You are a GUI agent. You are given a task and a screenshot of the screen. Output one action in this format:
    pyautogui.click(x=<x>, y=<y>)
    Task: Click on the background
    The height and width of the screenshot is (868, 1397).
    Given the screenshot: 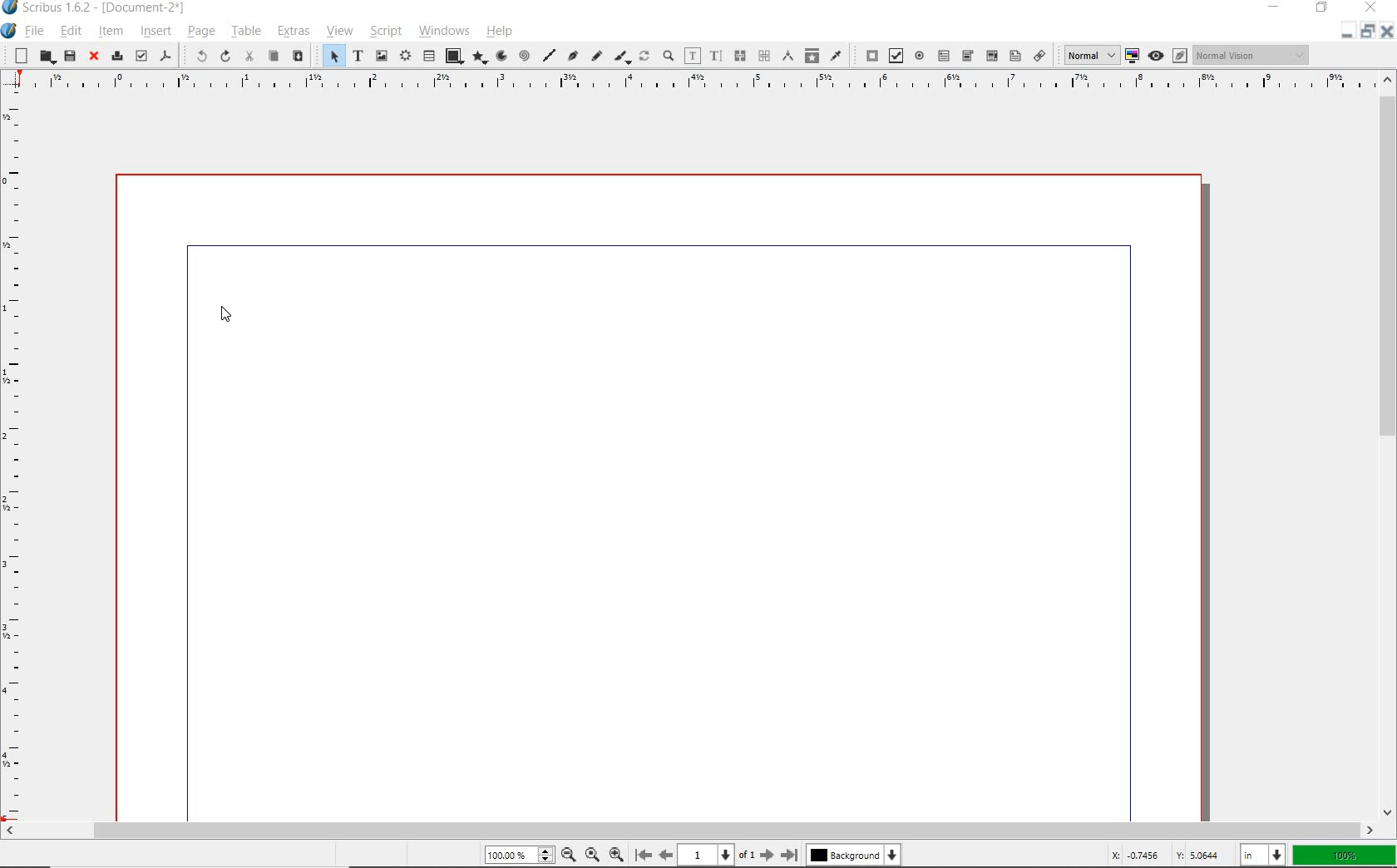 What is the action you would take?
    pyautogui.click(x=856, y=855)
    